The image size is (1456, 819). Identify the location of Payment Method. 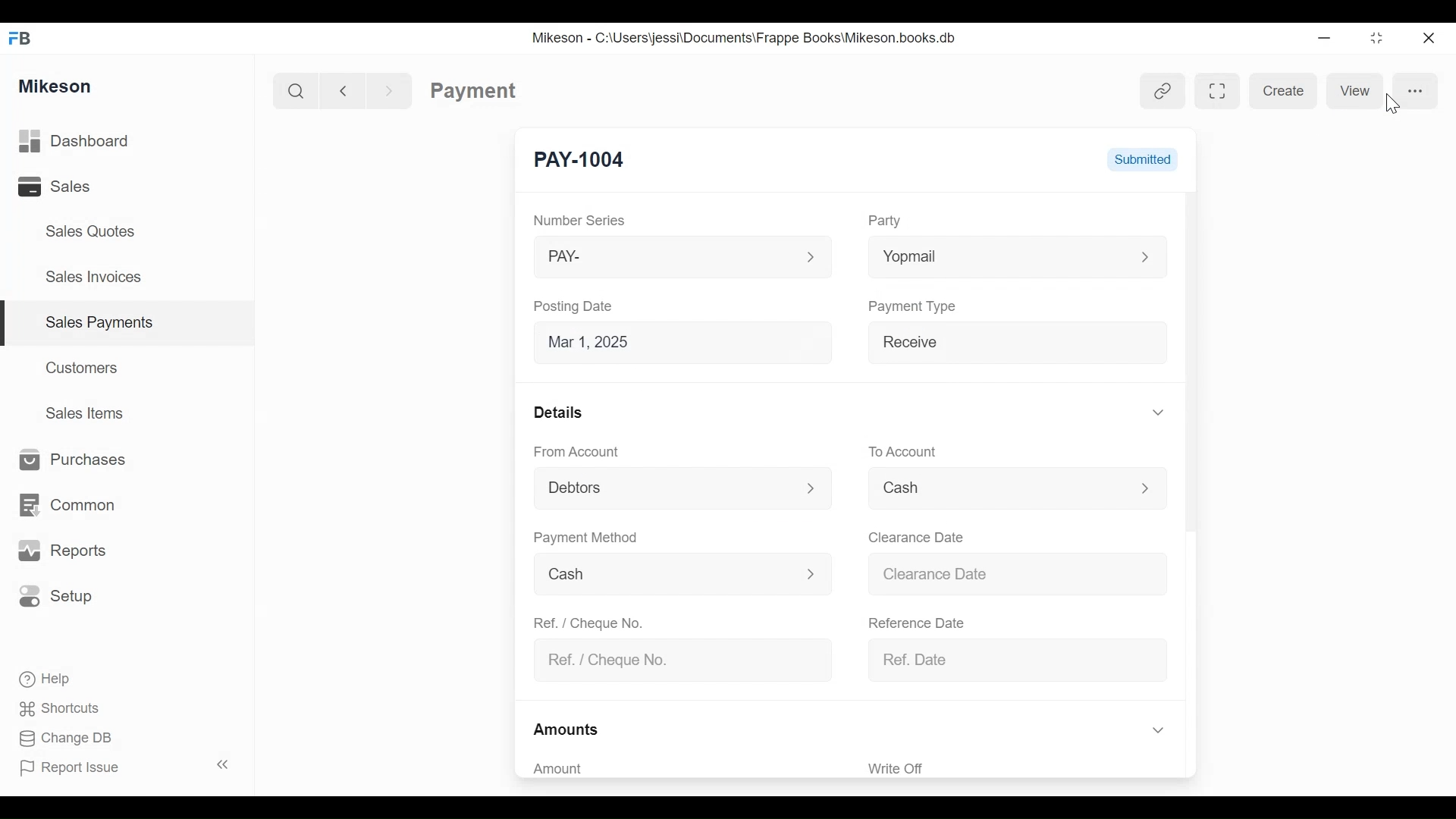
(587, 540).